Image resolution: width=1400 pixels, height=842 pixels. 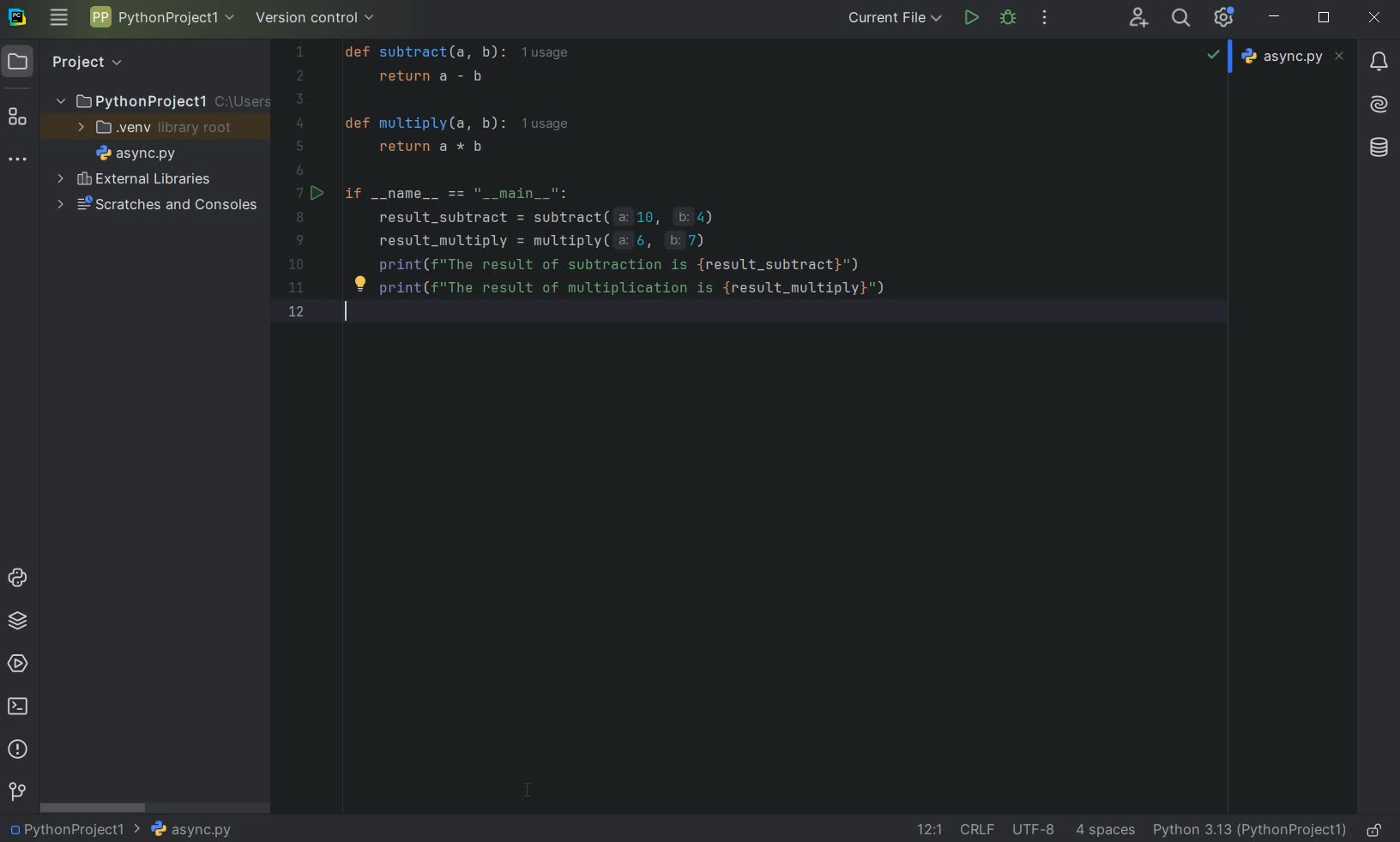 I want to click on version control, so click(x=321, y=20).